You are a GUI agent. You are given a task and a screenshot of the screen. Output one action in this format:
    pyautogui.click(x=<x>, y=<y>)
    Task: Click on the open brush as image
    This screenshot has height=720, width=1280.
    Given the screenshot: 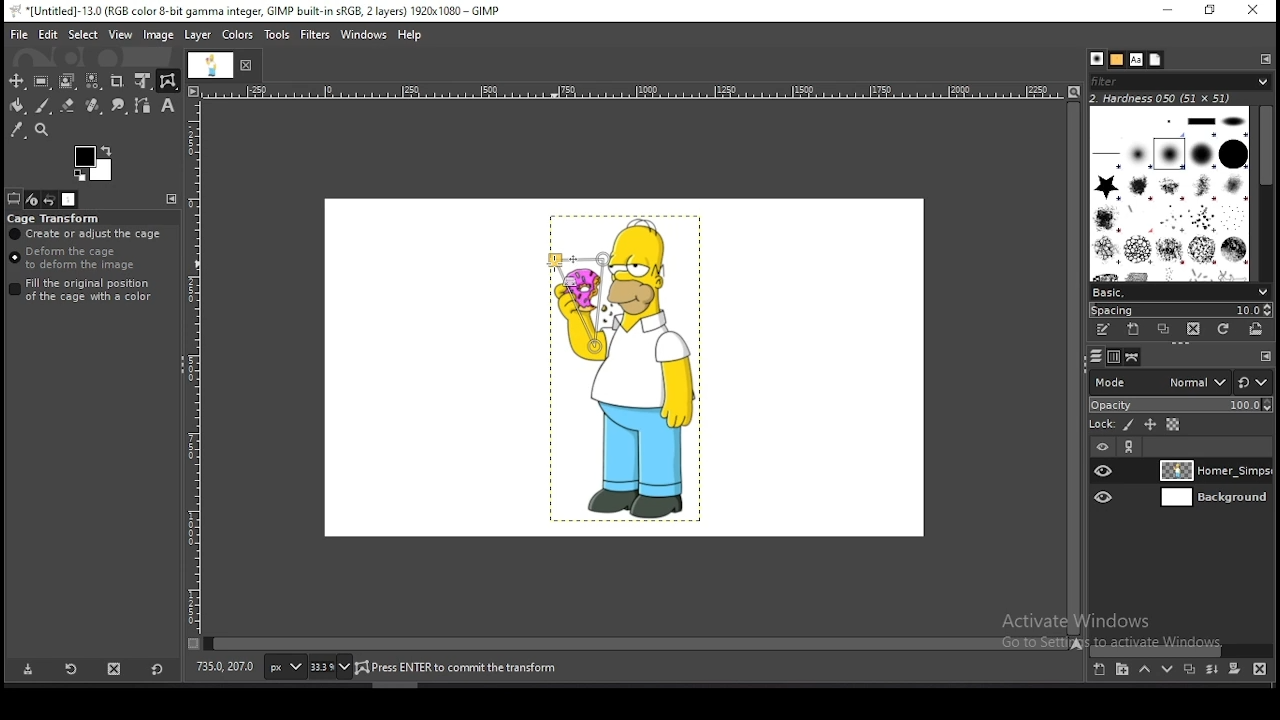 What is the action you would take?
    pyautogui.click(x=1256, y=328)
    